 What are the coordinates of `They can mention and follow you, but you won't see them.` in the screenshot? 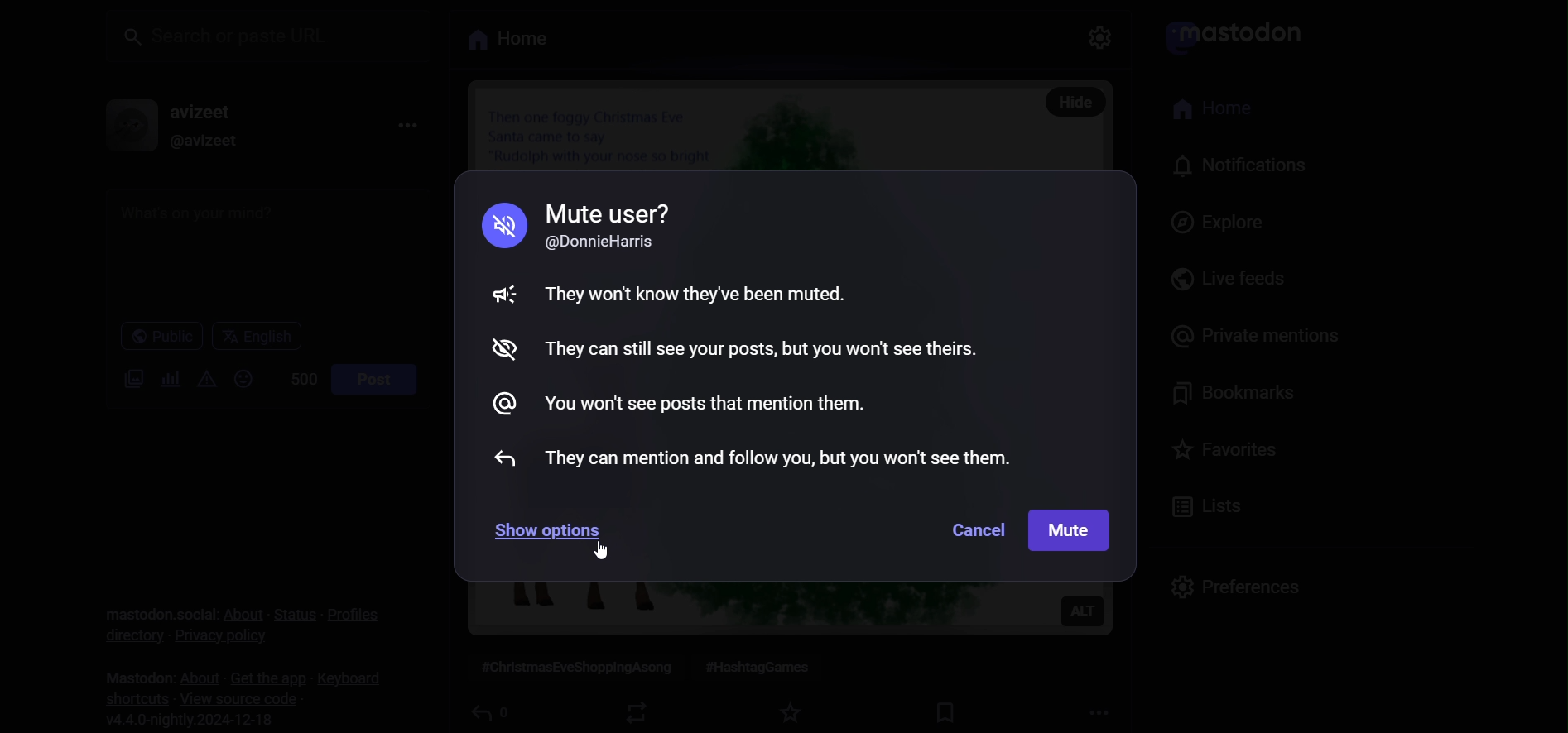 It's located at (776, 458).